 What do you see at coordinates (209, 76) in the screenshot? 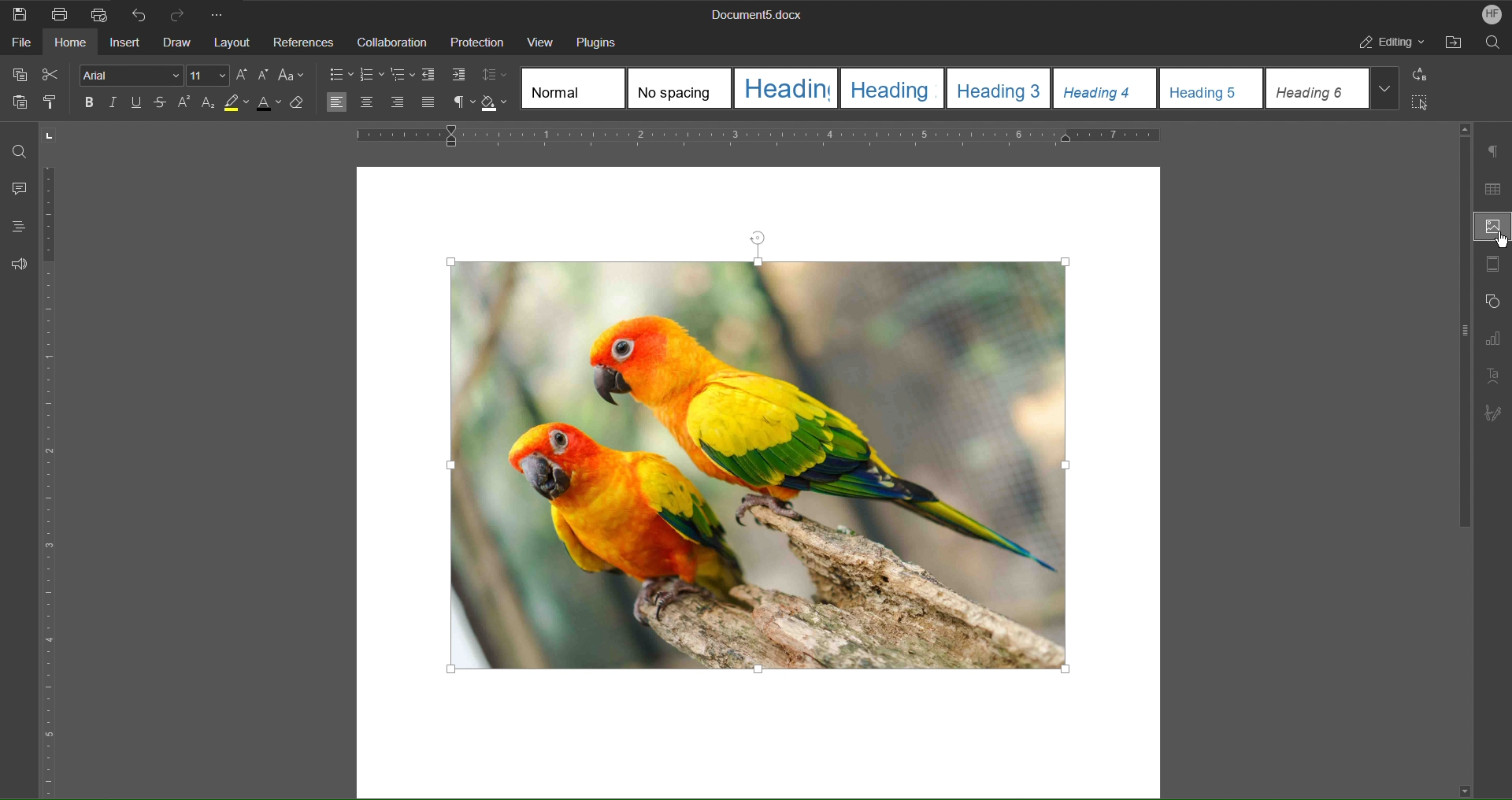
I see `Font size` at bounding box center [209, 76].